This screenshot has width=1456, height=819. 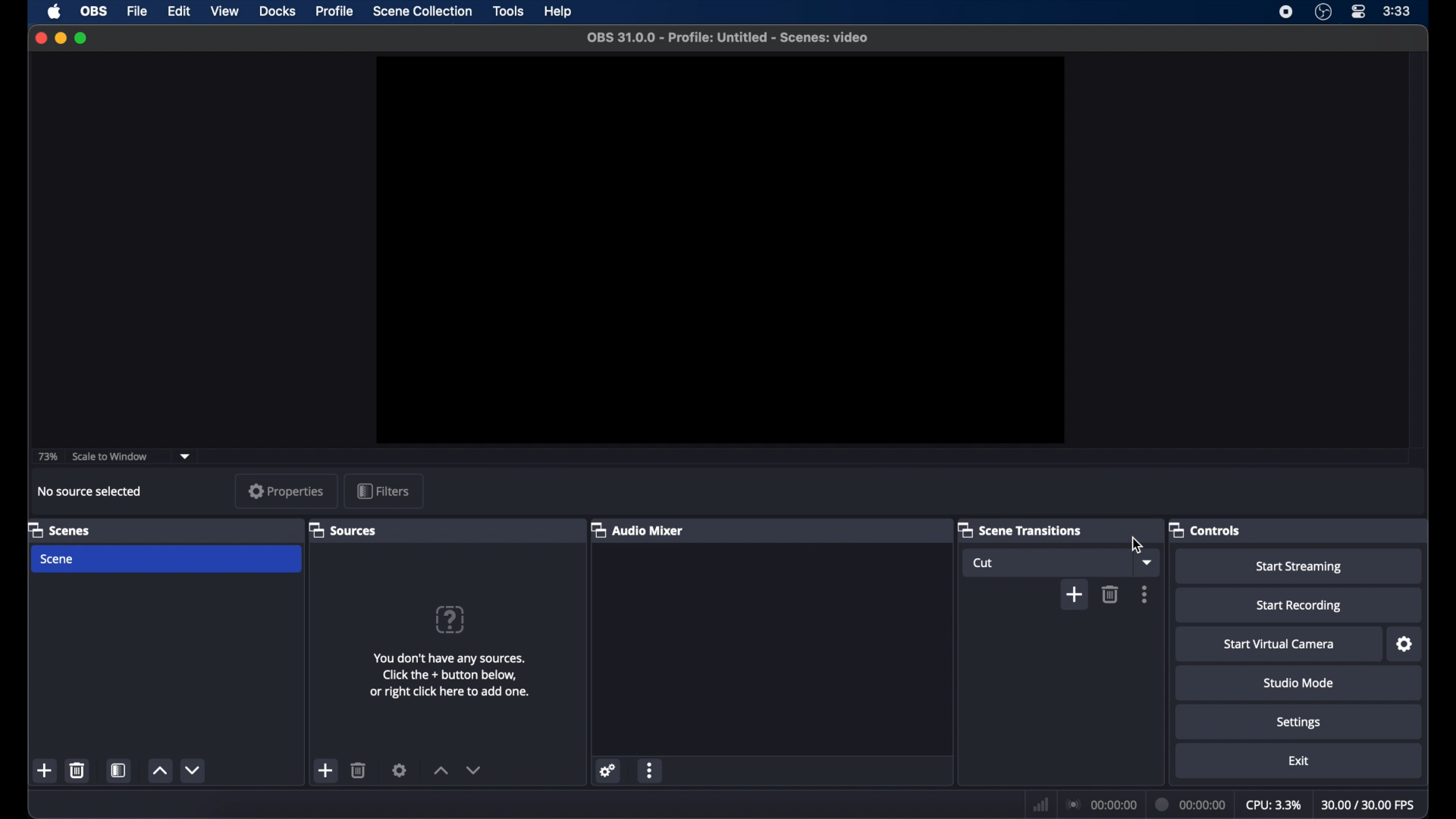 I want to click on 73%, so click(x=45, y=457).